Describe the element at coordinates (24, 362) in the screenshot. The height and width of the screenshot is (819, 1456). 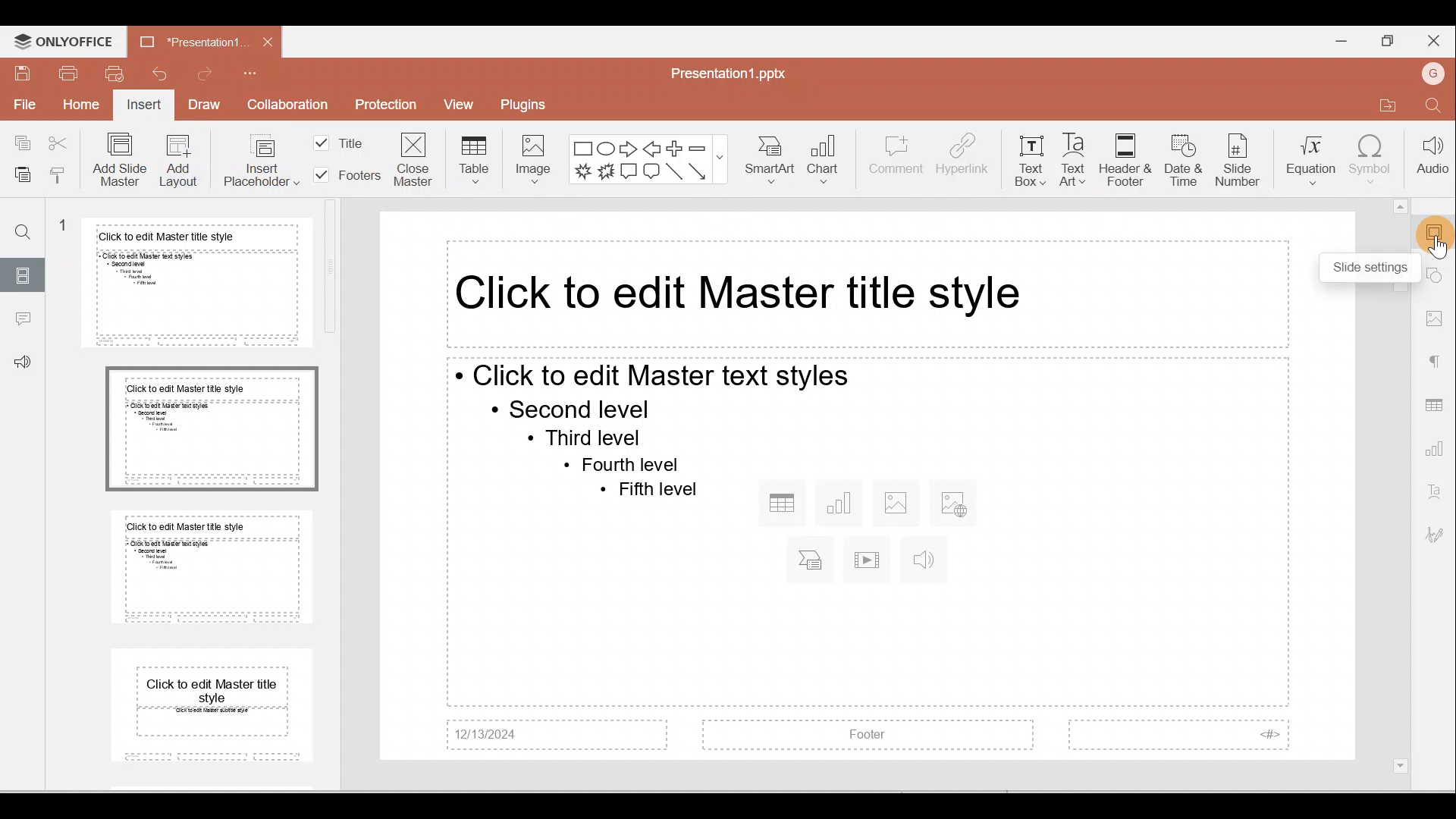
I see `Feedback & support` at that location.